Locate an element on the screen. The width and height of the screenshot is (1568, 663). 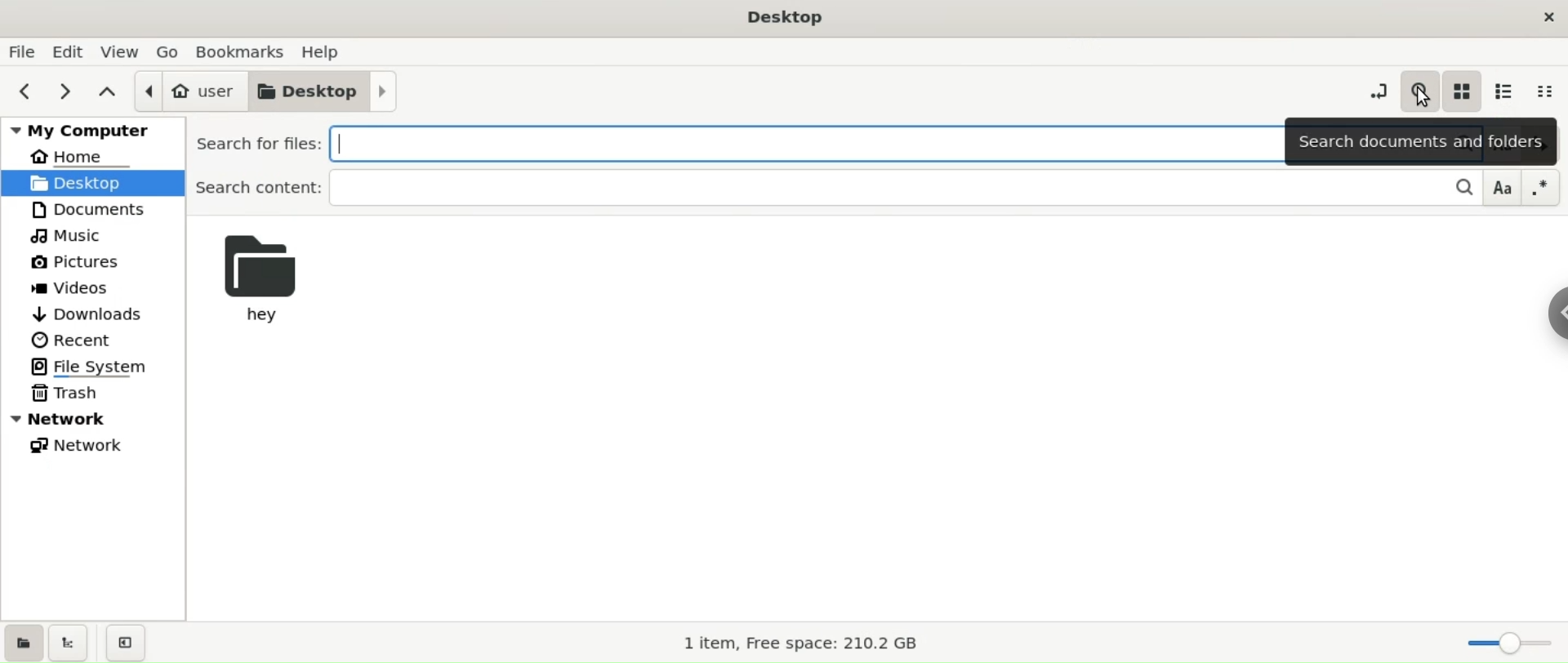
search documents and folders is located at coordinates (1423, 141).